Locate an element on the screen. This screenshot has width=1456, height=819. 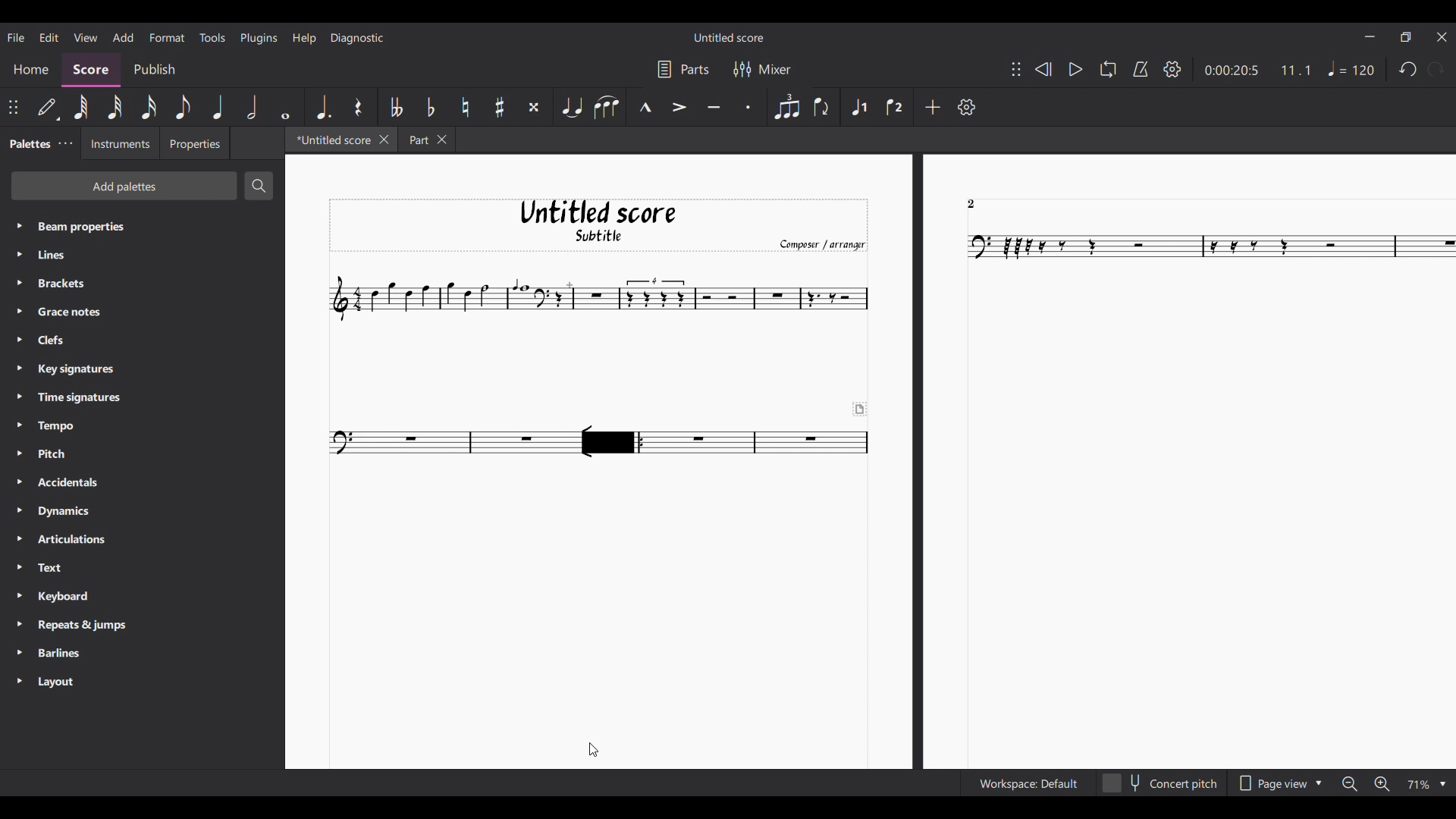
Description of current selection is located at coordinates (178, 783).